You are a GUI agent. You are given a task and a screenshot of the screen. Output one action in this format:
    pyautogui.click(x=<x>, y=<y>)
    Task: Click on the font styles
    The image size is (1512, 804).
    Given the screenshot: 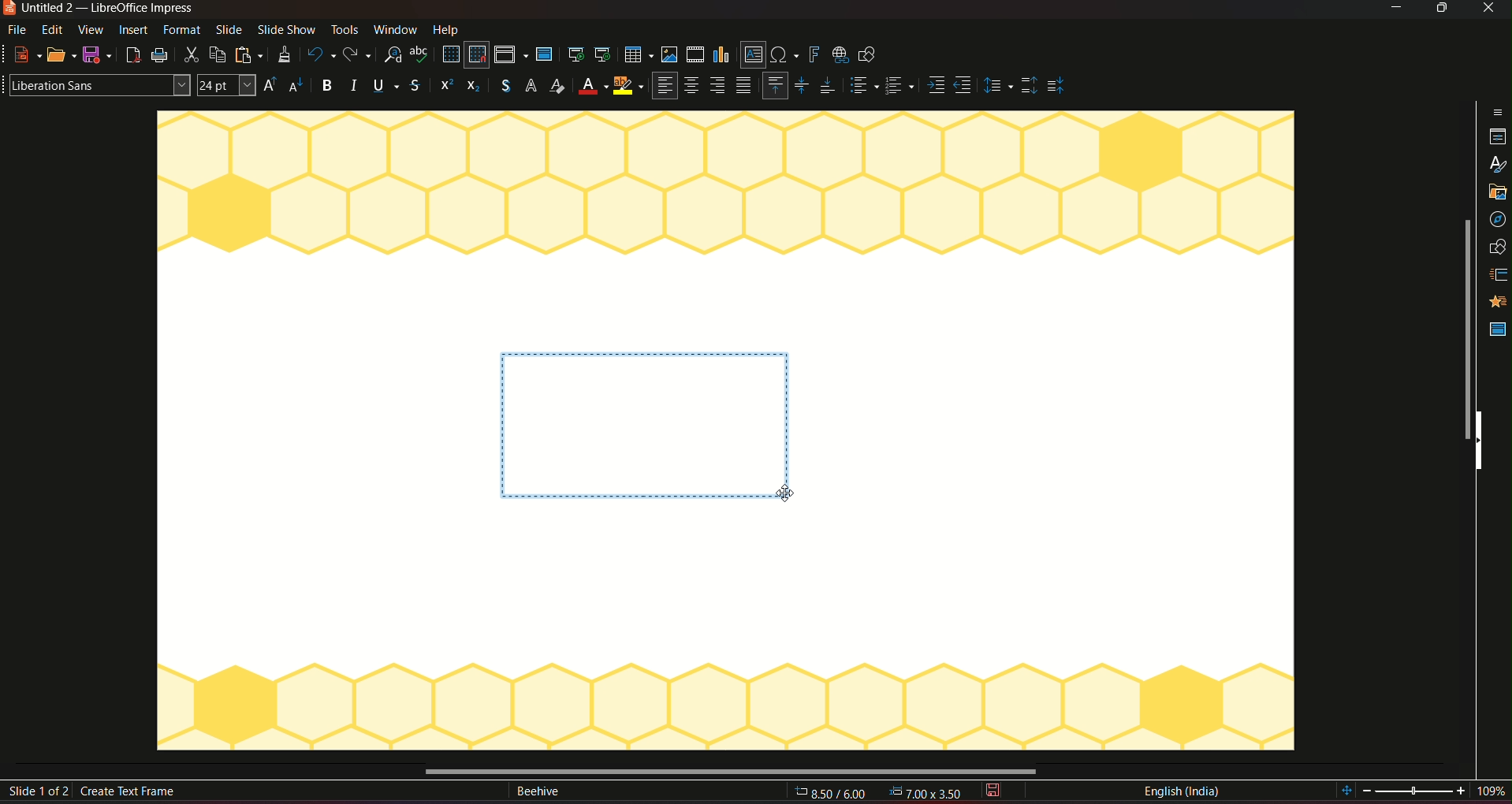 What is the action you would take?
    pyautogui.click(x=531, y=87)
    